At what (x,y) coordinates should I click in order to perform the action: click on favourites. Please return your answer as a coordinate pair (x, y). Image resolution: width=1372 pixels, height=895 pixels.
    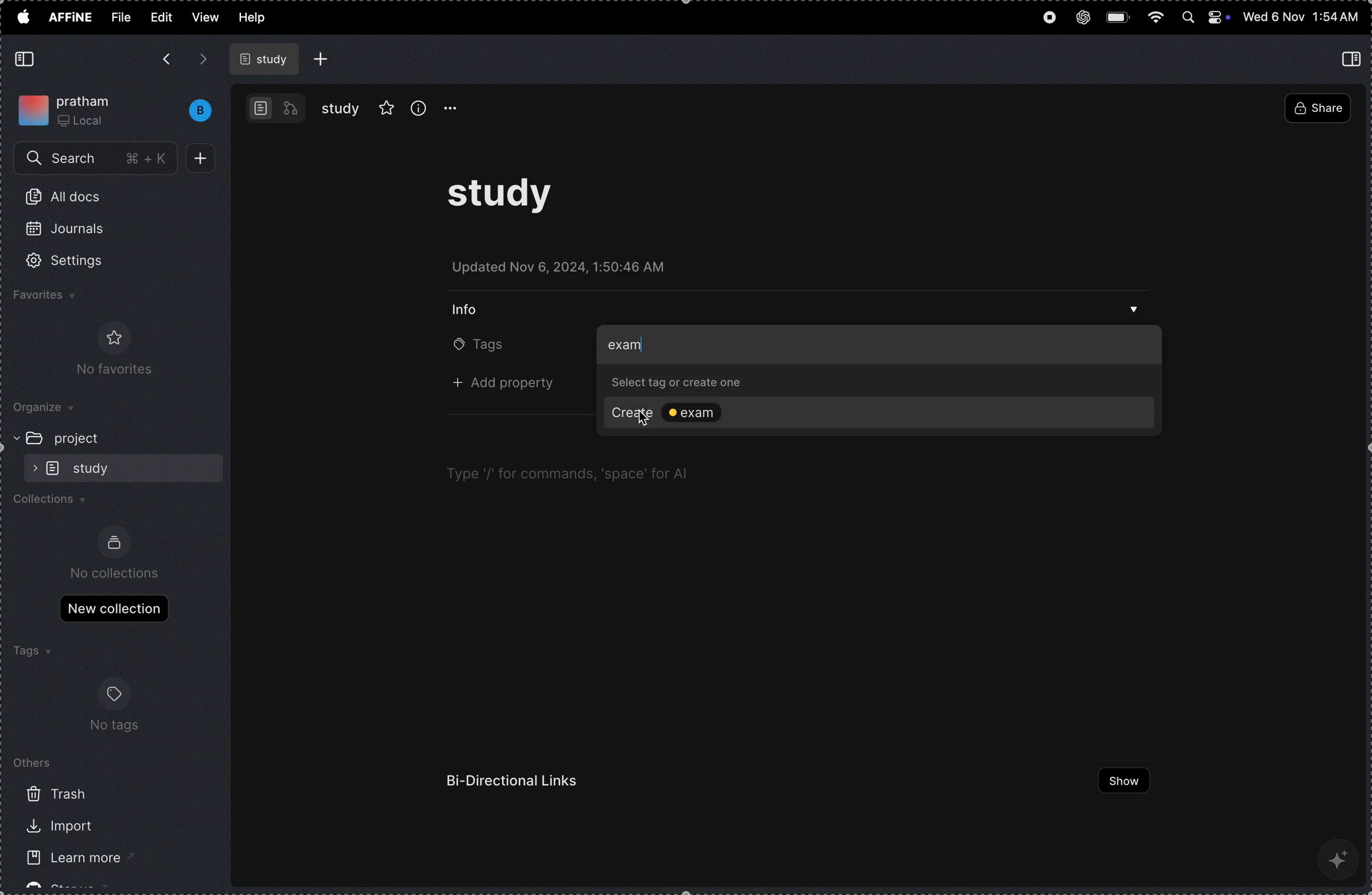
    Looking at the image, I should click on (61, 297).